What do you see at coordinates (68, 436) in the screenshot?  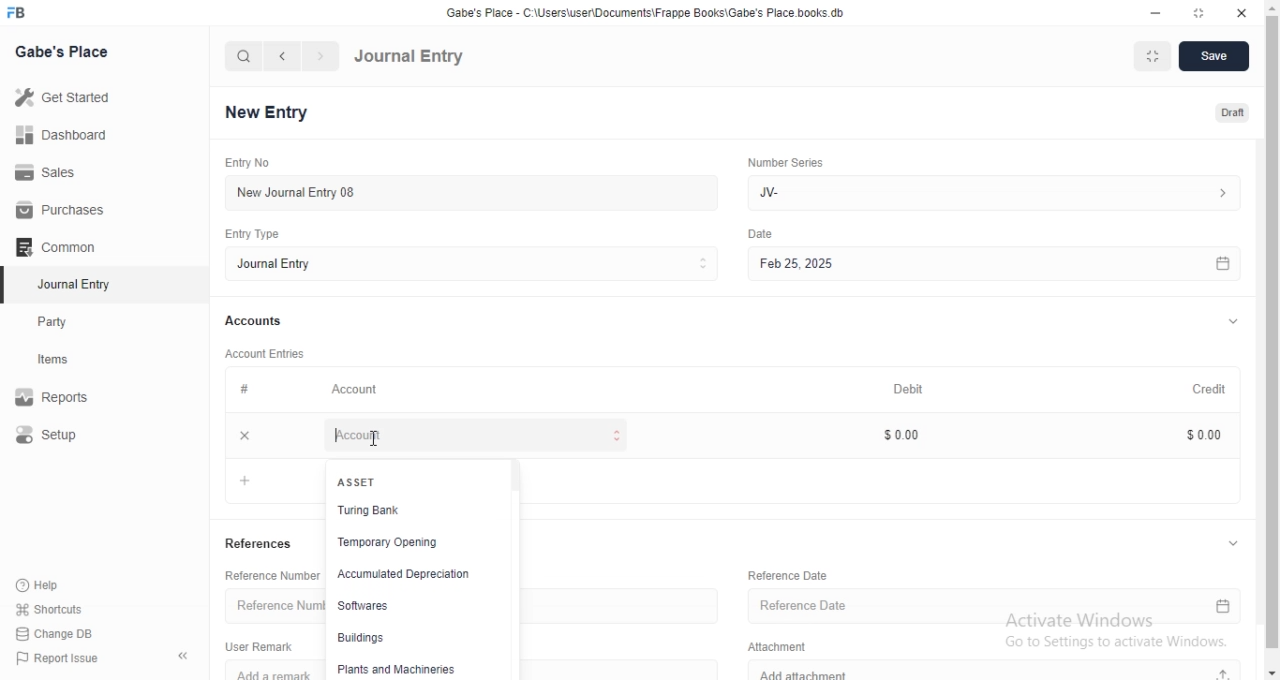 I see `Setup` at bounding box center [68, 436].